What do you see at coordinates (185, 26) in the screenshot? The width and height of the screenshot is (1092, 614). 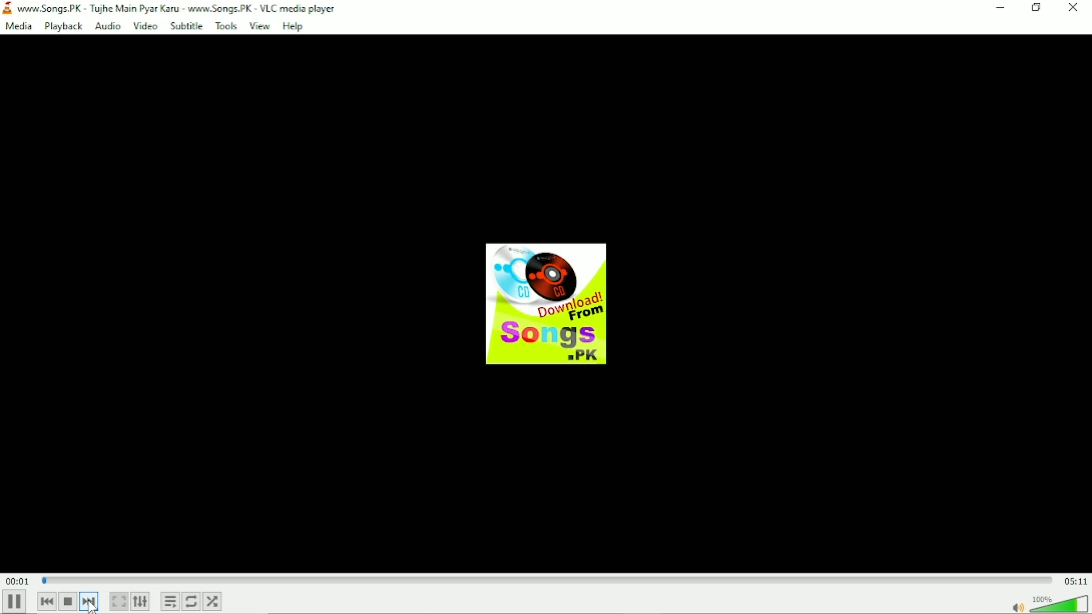 I see `Subtitle` at bounding box center [185, 26].